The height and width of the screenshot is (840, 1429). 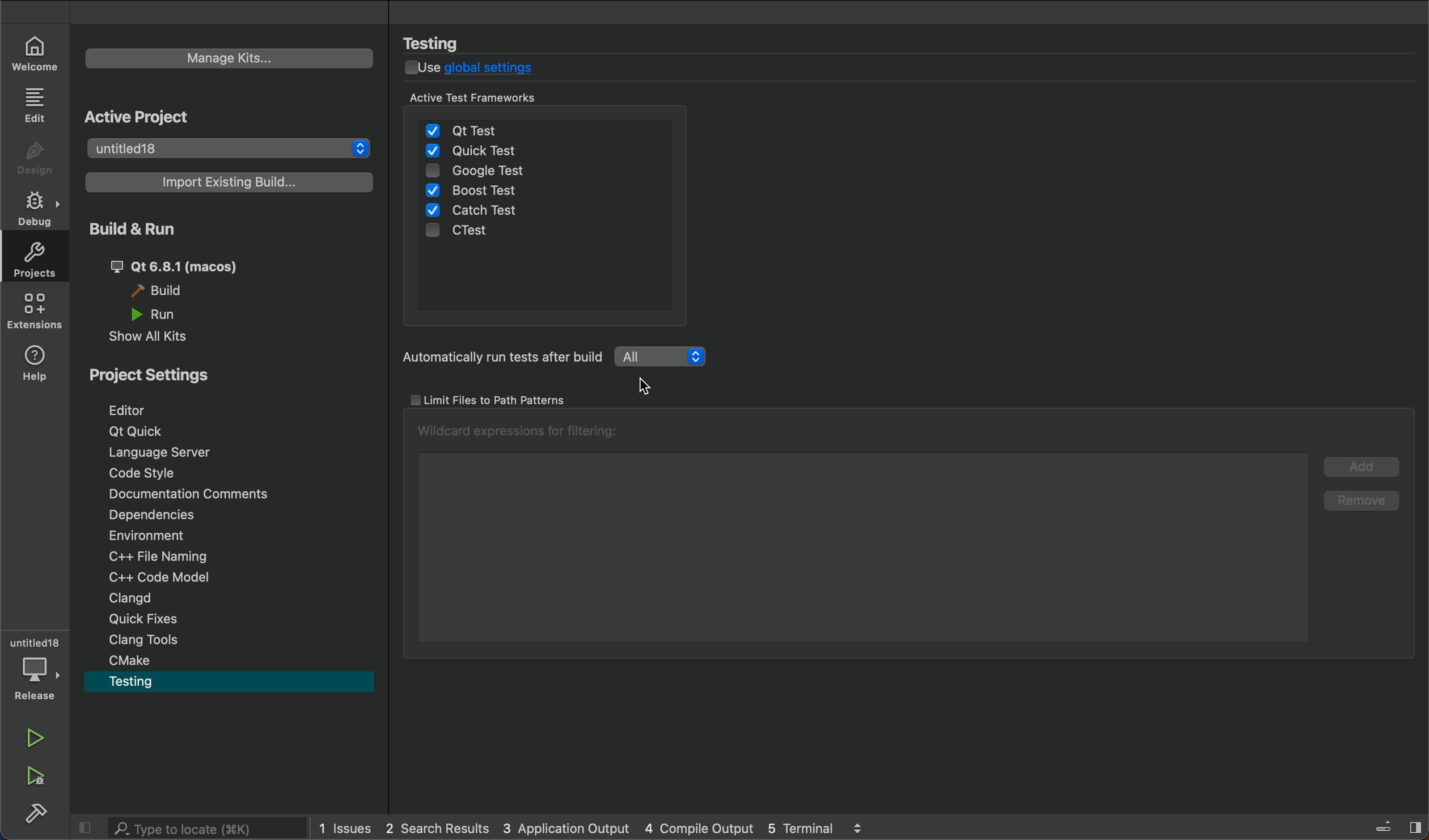 What do you see at coordinates (481, 69) in the screenshot?
I see `use global setting ` at bounding box center [481, 69].